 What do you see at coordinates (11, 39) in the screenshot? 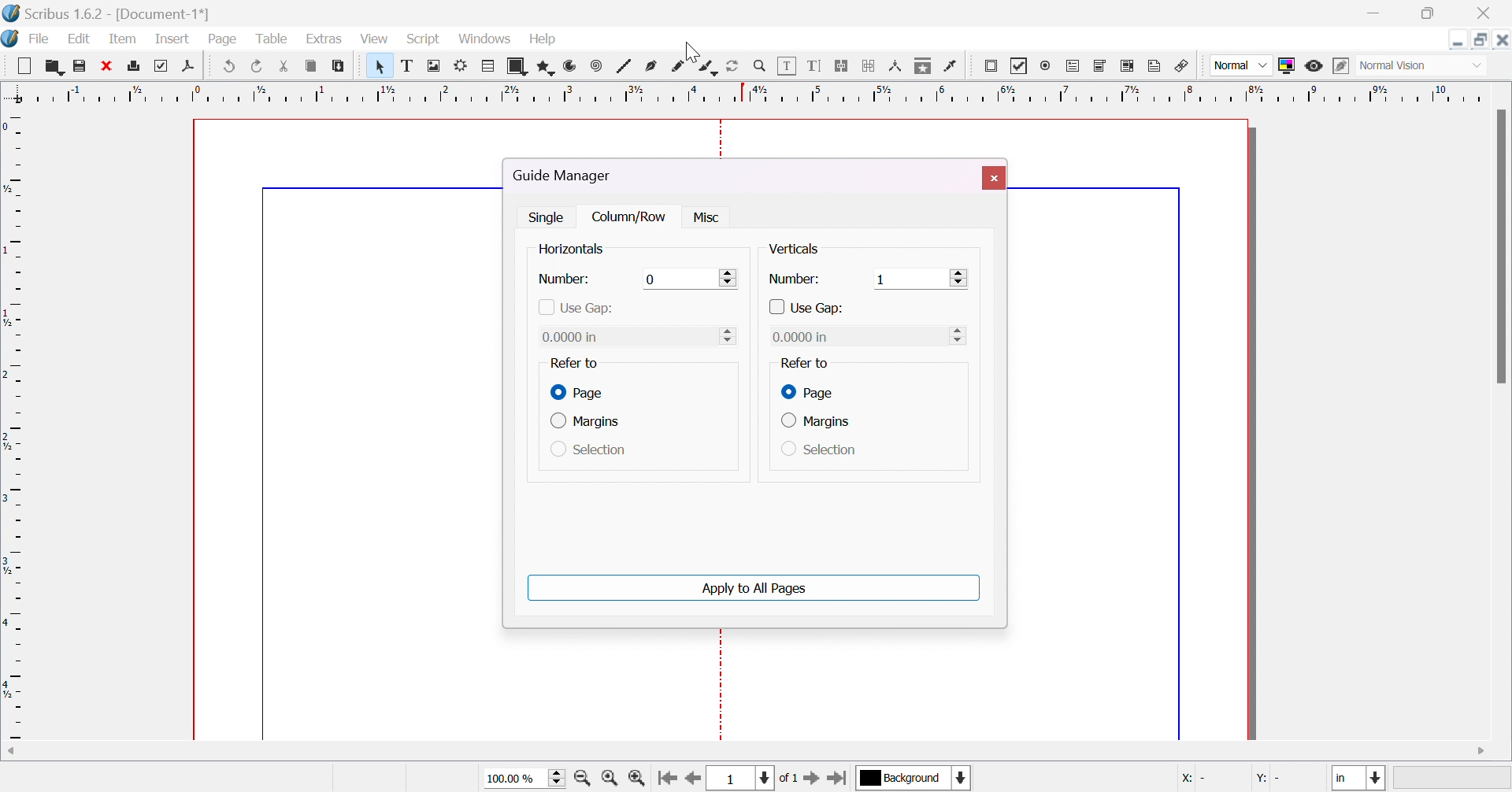
I see `Icon` at bounding box center [11, 39].